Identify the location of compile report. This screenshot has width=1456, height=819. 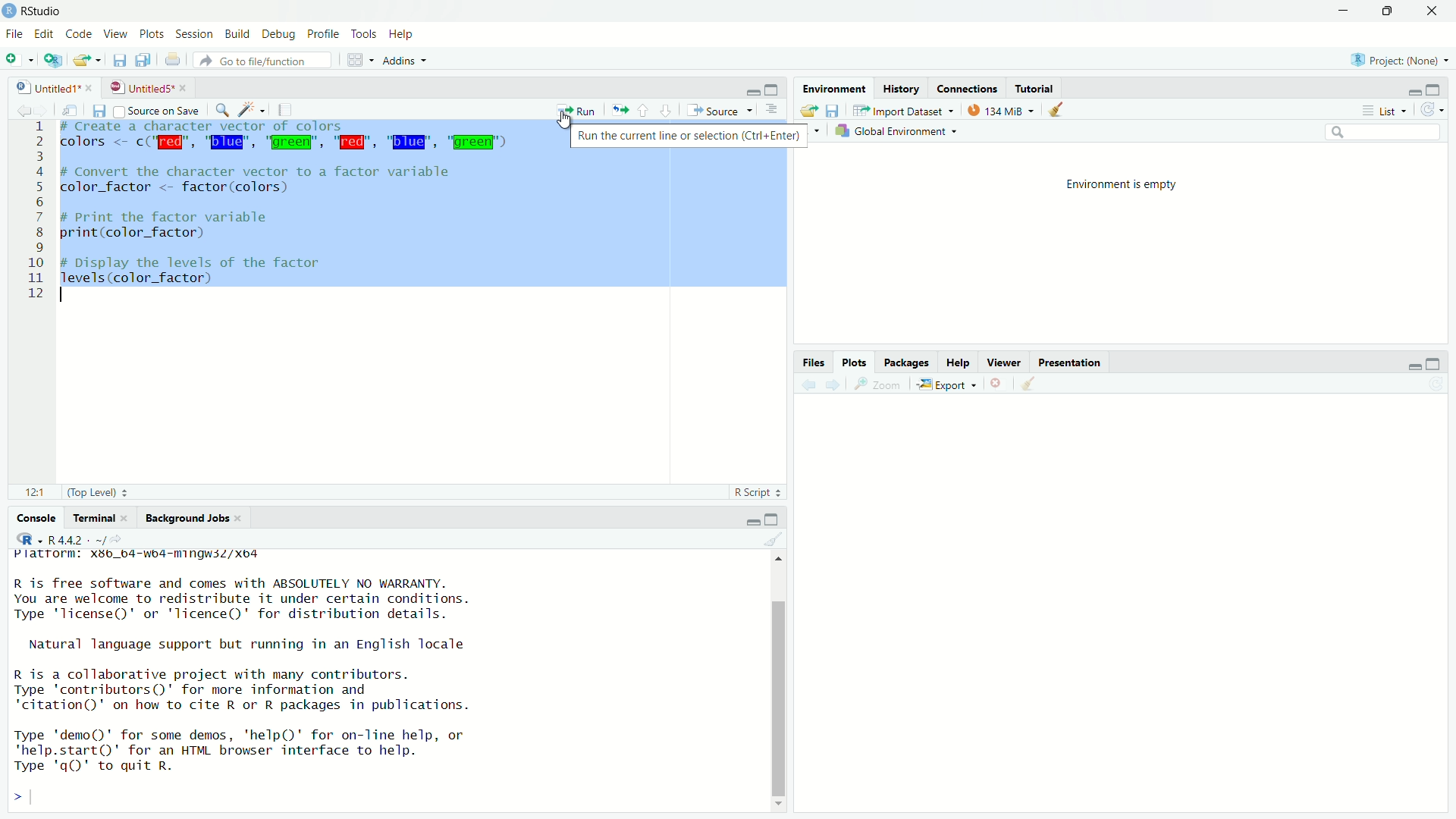
(289, 110).